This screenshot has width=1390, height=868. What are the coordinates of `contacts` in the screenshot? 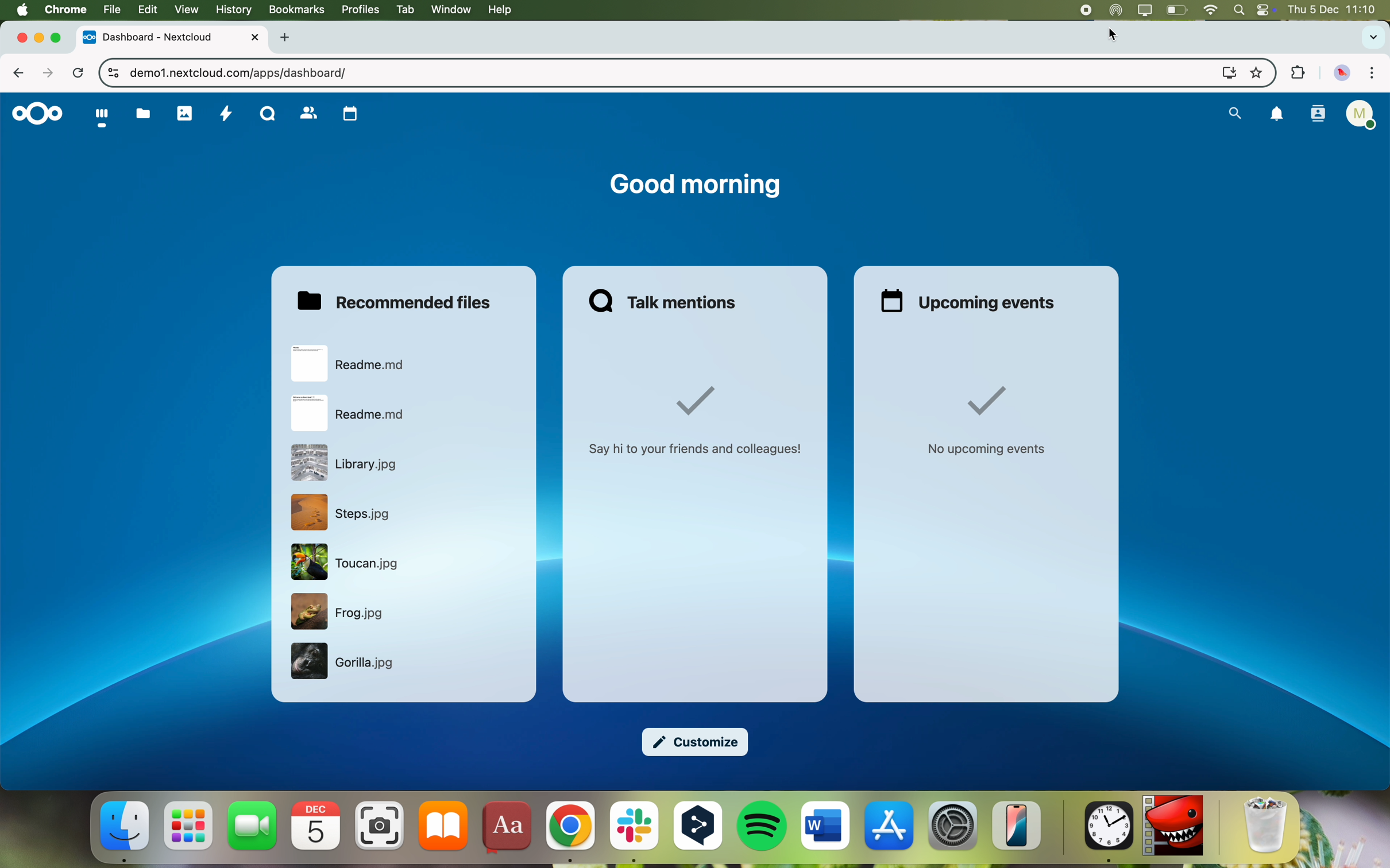 It's located at (308, 114).